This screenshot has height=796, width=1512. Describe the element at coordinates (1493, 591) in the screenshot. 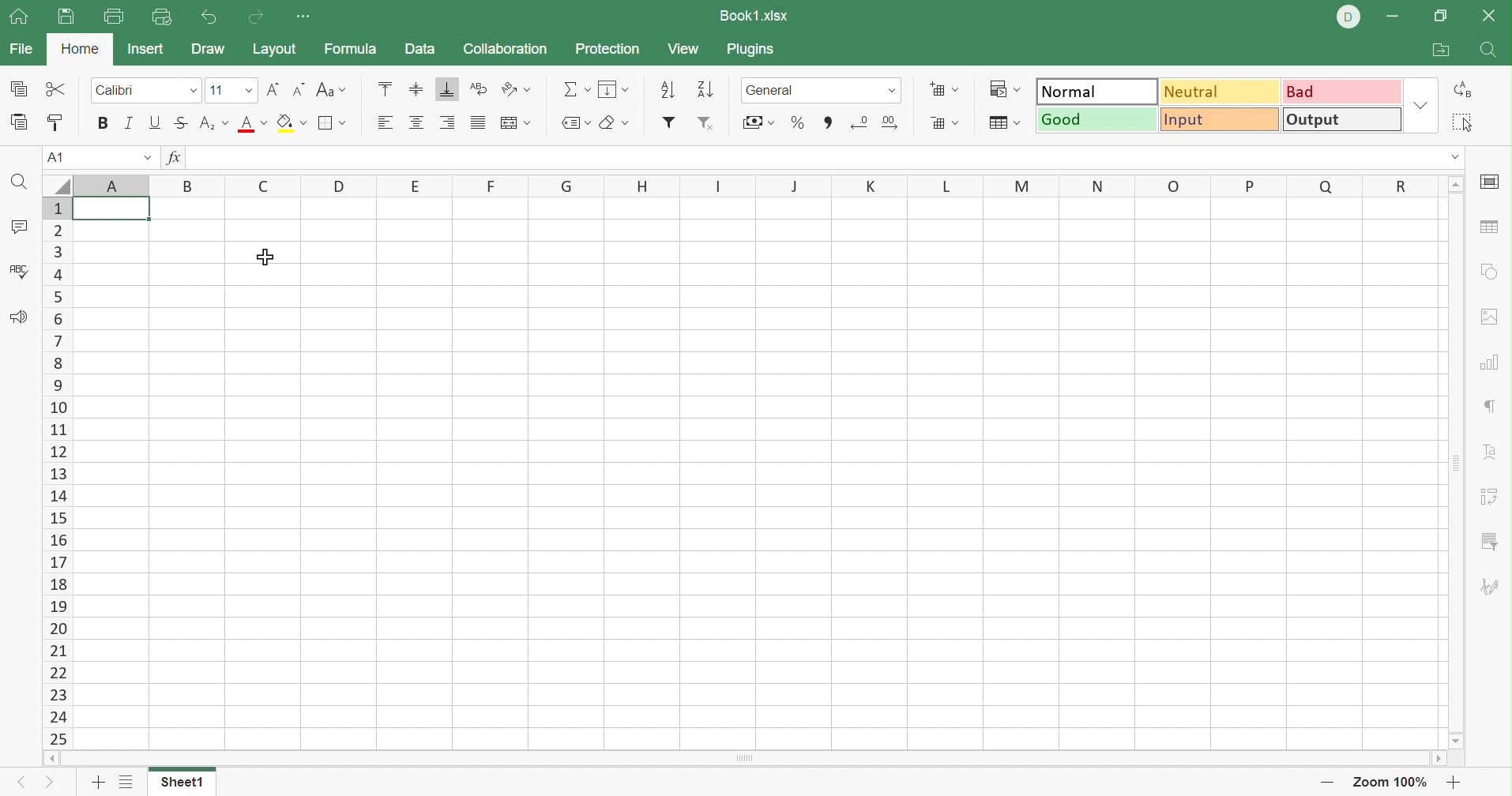

I see `Signature settings` at that location.